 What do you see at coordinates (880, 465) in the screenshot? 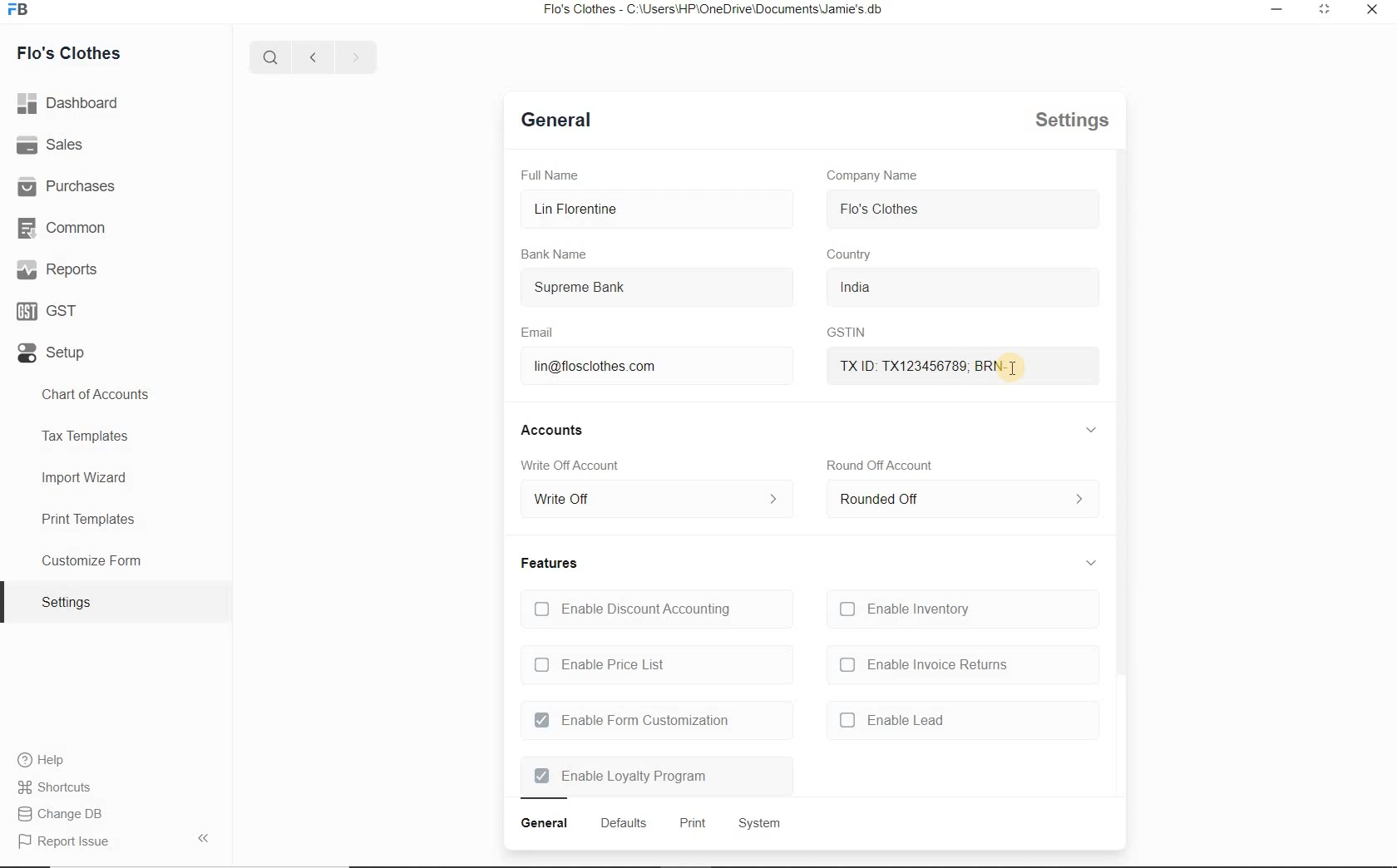
I see `round off account` at bounding box center [880, 465].